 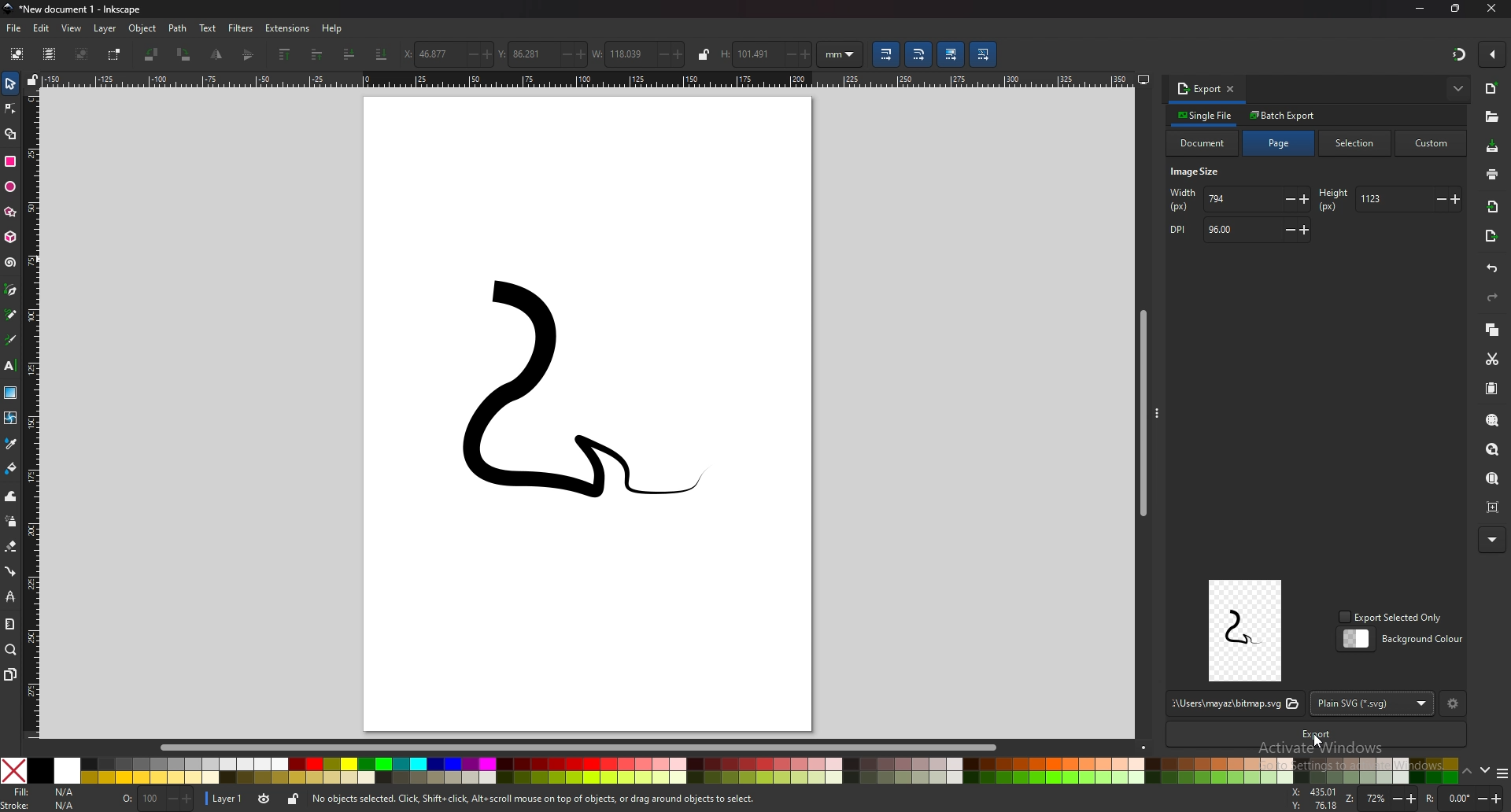 I want to click on zoom centre page, so click(x=1494, y=507).